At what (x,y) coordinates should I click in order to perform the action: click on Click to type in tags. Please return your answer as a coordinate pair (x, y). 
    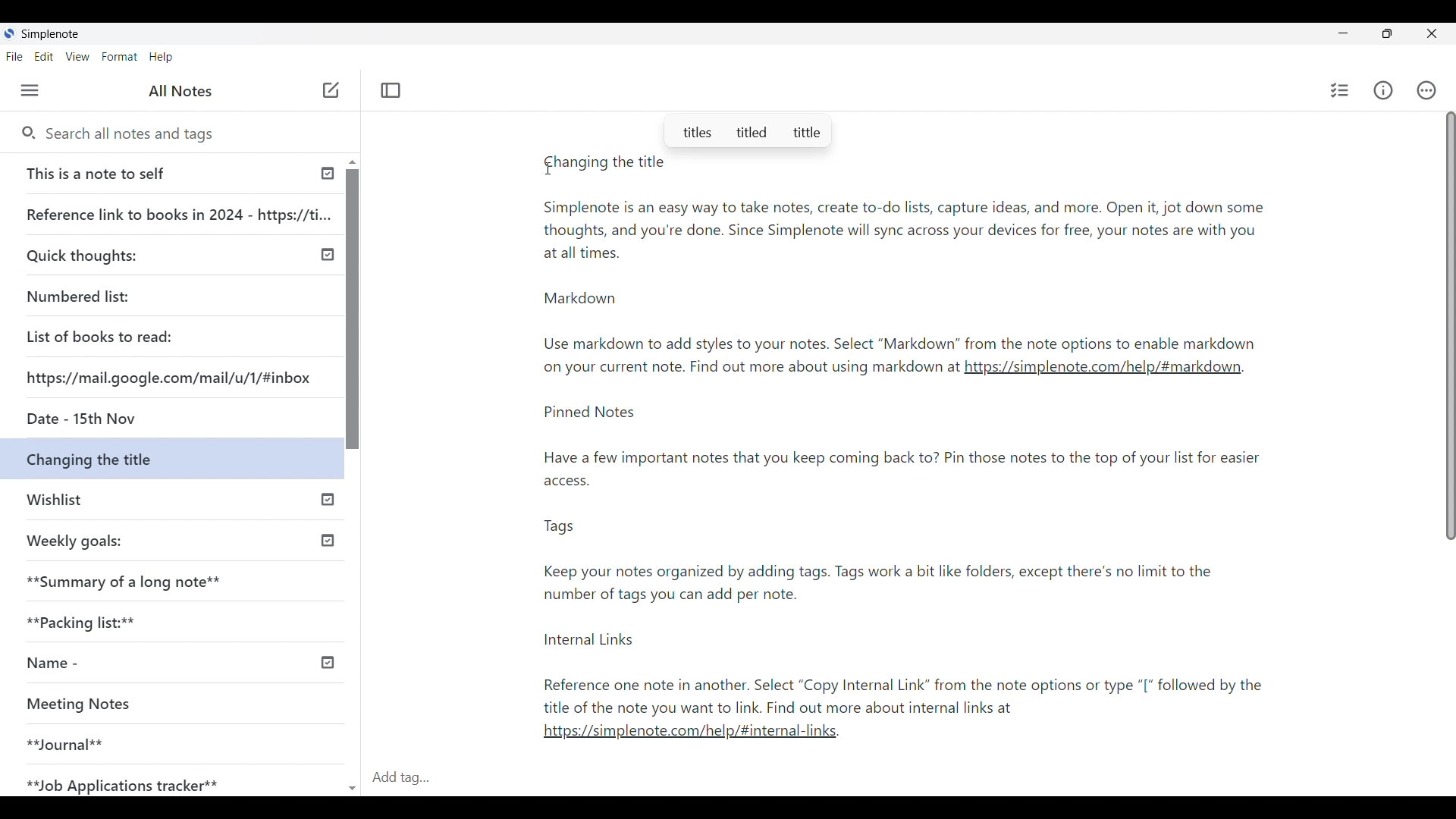
    Looking at the image, I should click on (908, 778).